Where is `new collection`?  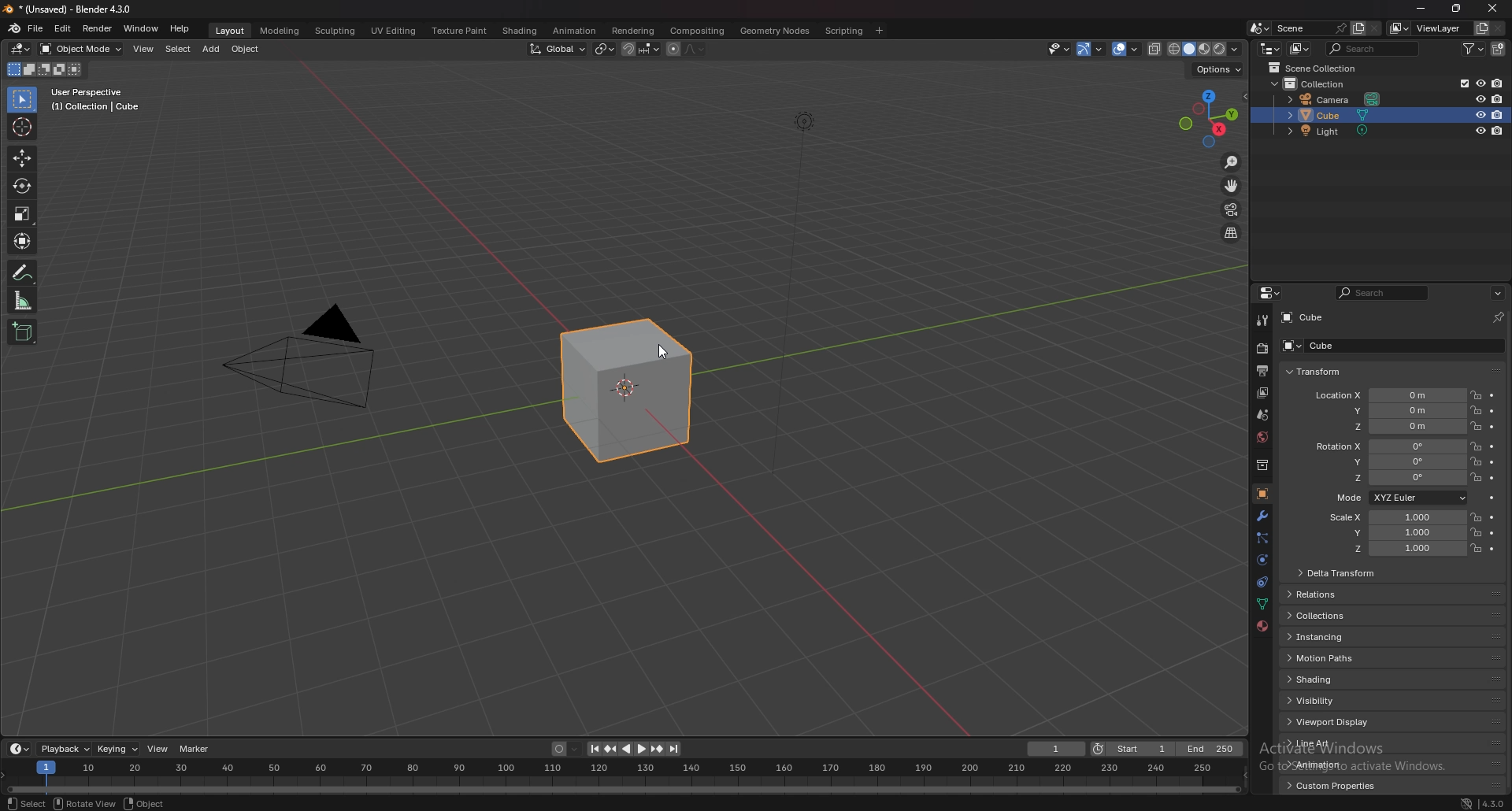
new collection is located at coordinates (1499, 49).